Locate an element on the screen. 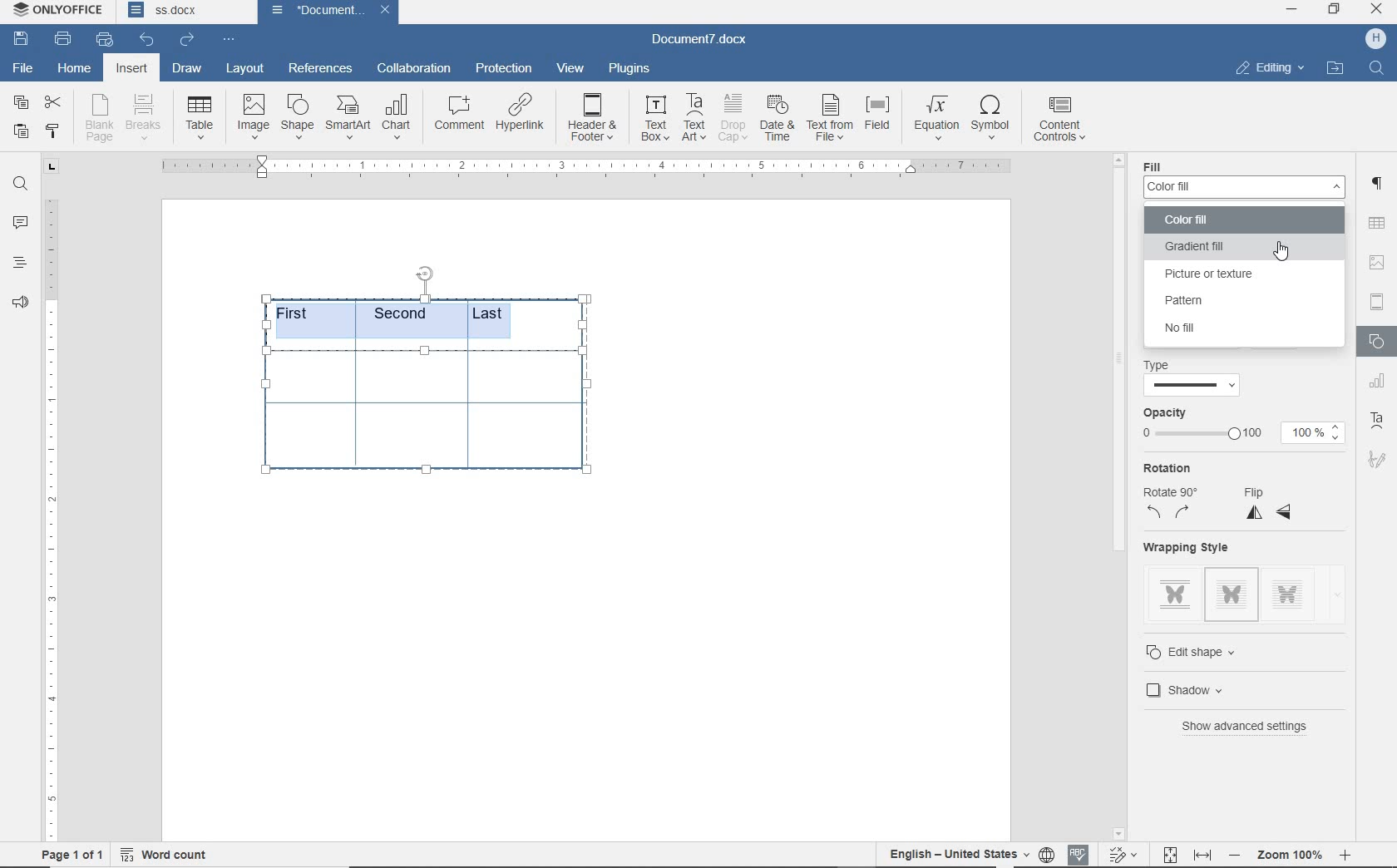 The width and height of the screenshot is (1397, 868). spell checking is located at coordinates (1079, 853).